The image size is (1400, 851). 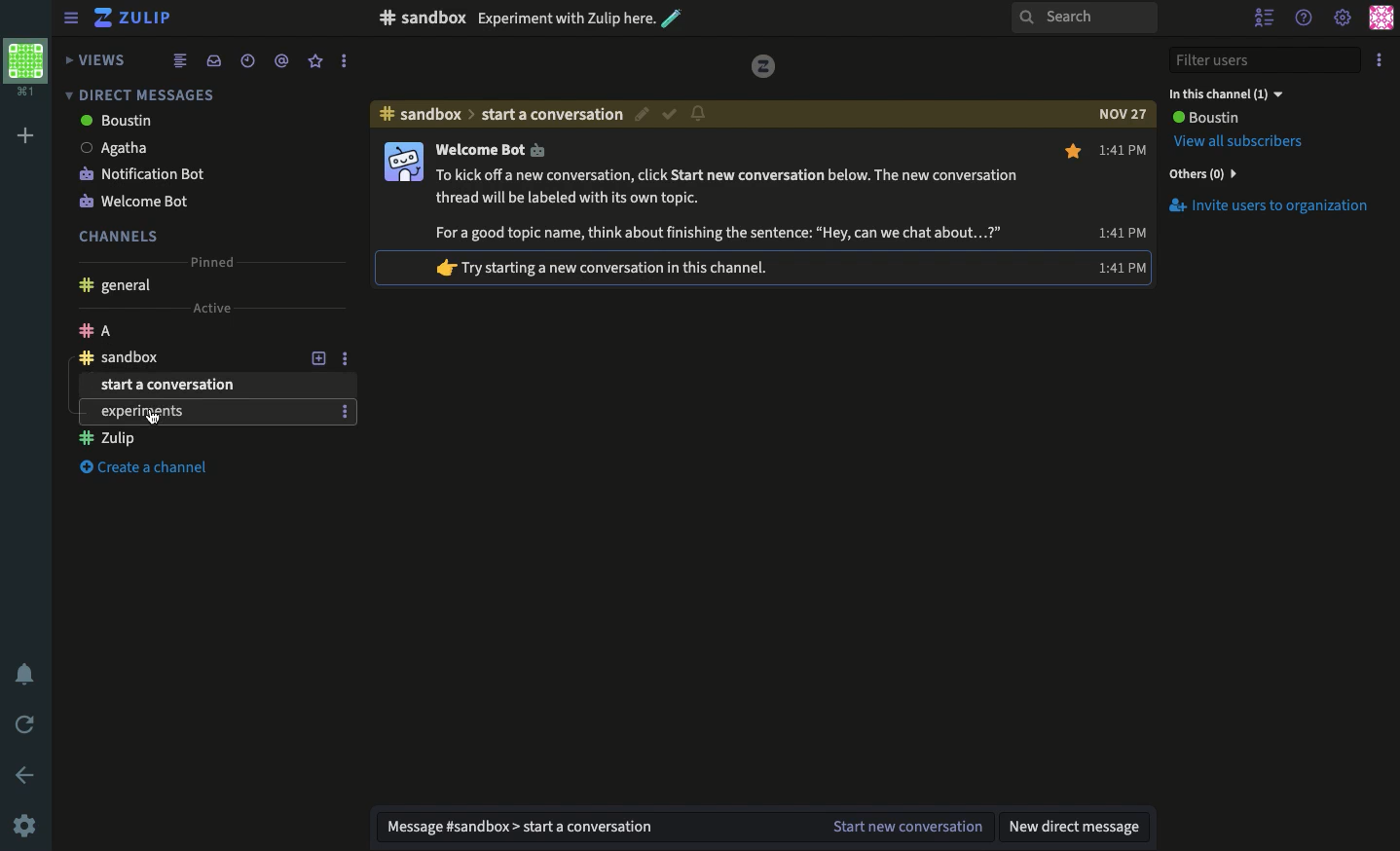 What do you see at coordinates (210, 306) in the screenshot?
I see `Active` at bounding box center [210, 306].